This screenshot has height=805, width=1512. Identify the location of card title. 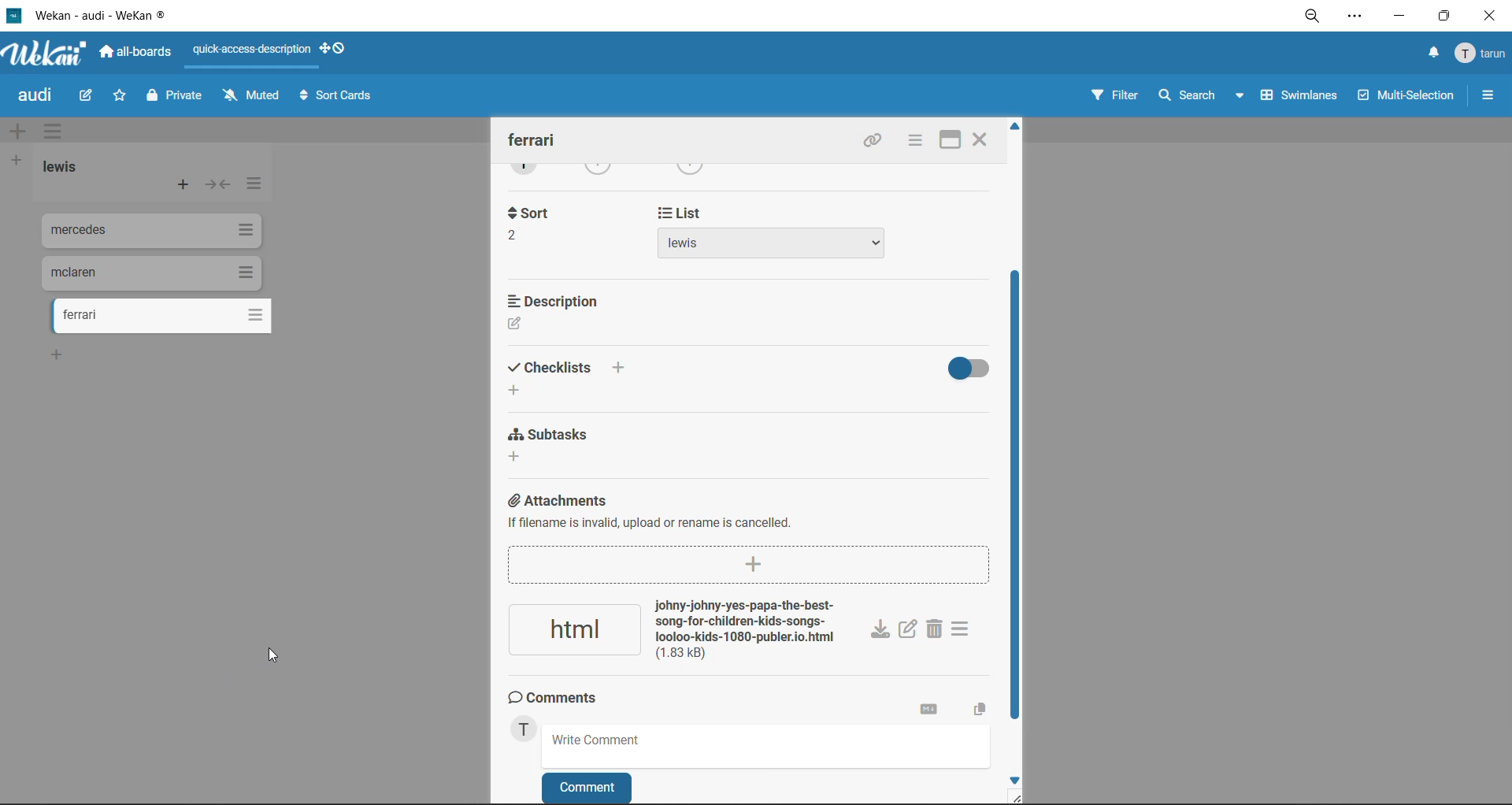
(536, 140).